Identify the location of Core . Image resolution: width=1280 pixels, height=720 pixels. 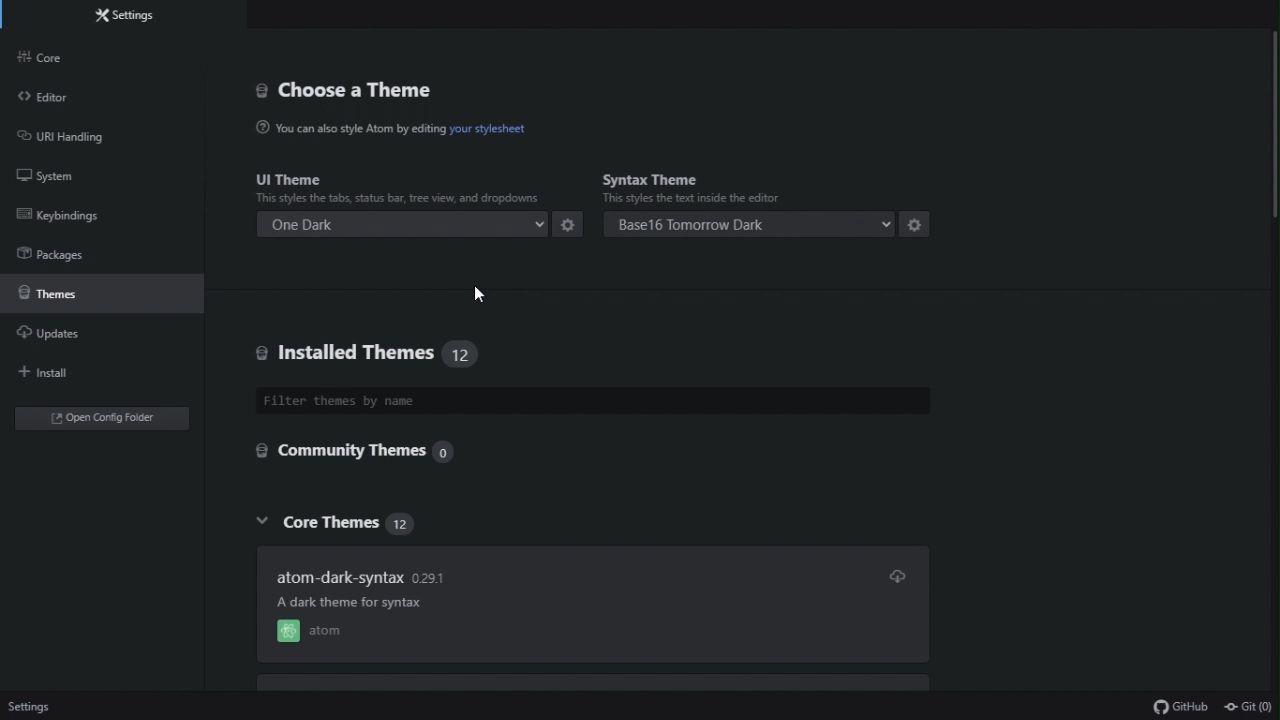
(77, 59).